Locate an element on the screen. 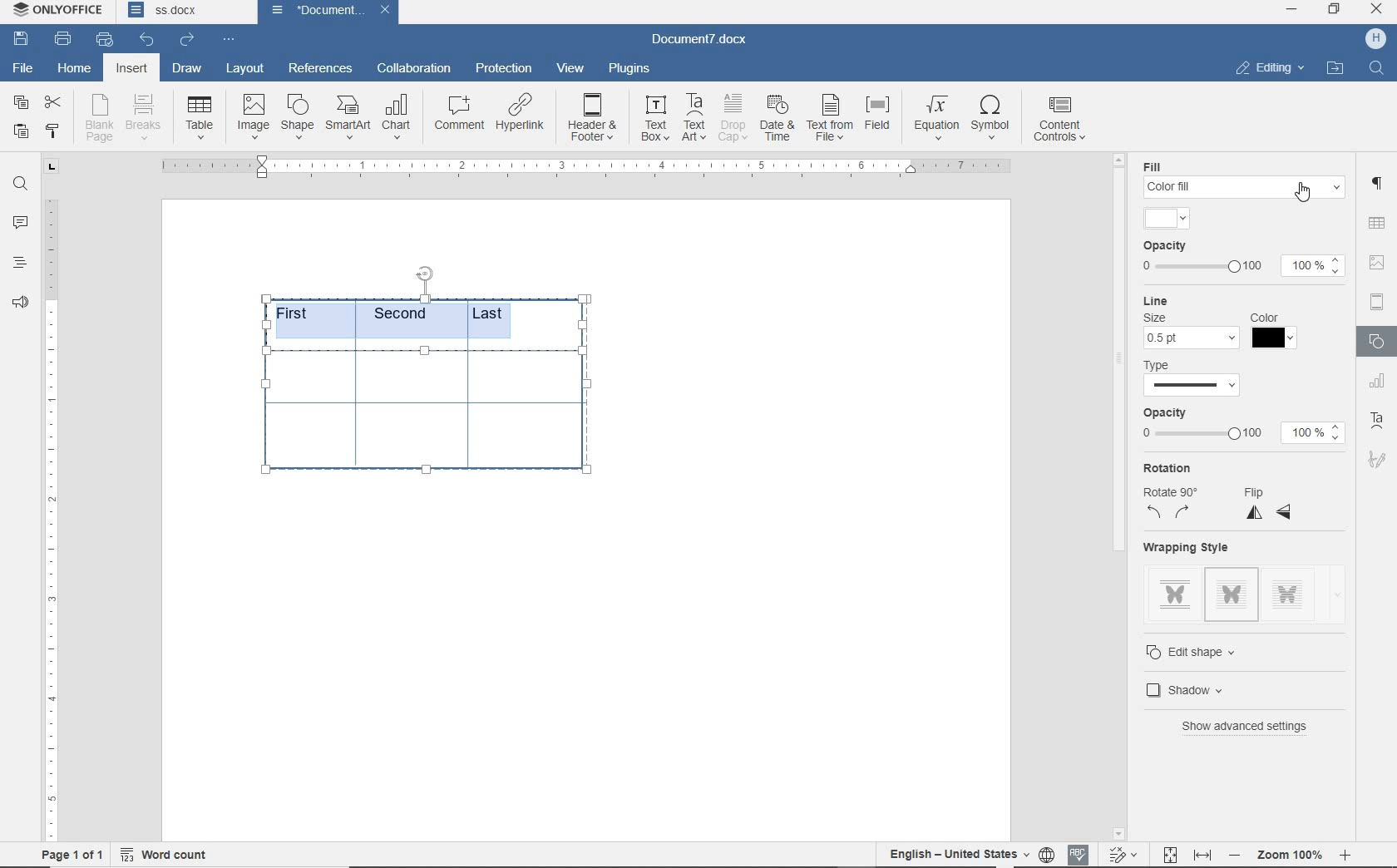 Image resolution: width=1397 pixels, height=868 pixels. table is located at coordinates (429, 419).